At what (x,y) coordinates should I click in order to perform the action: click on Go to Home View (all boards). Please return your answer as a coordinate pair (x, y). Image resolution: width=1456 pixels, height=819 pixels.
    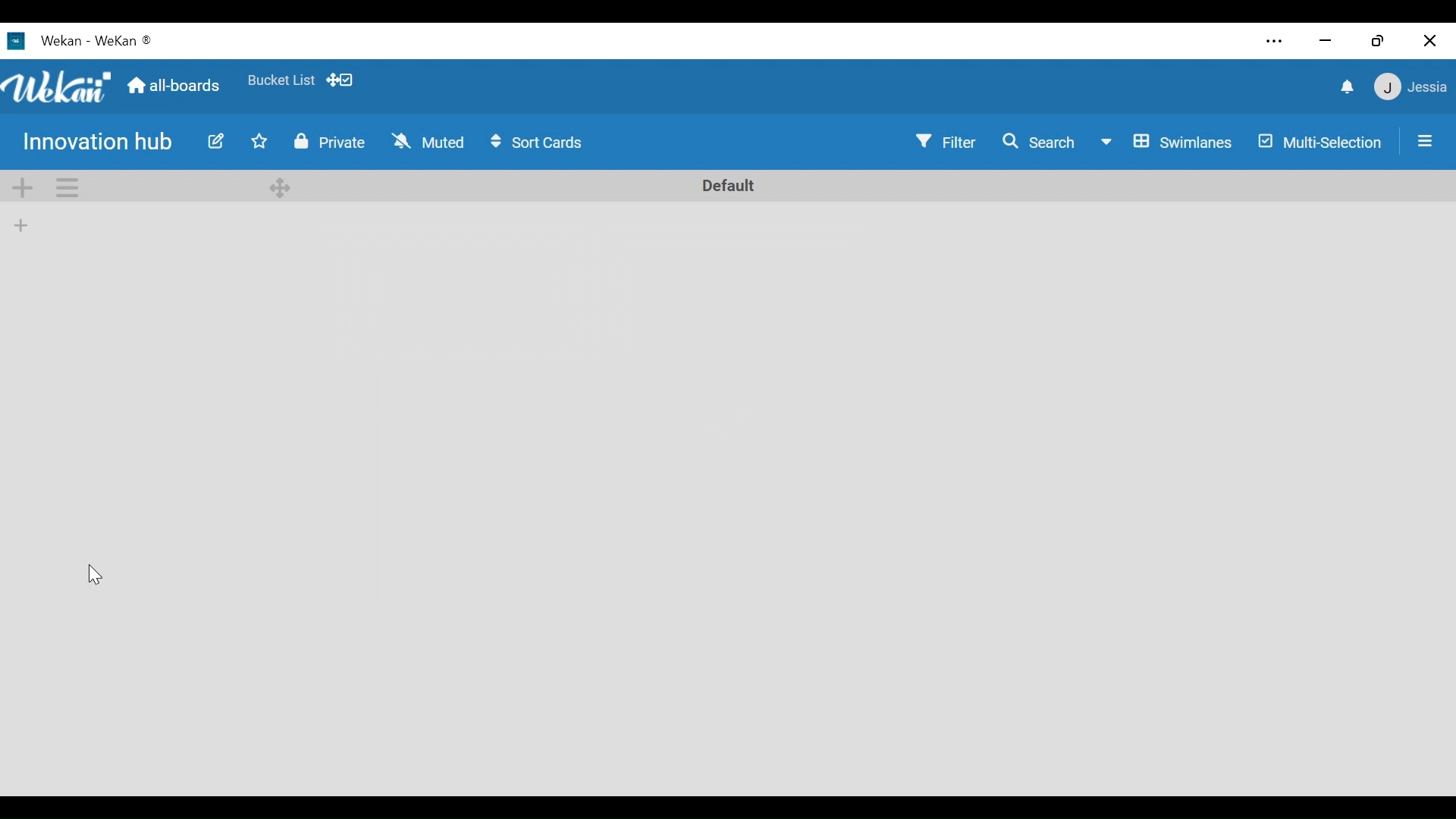
    Looking at the image, I should click on (172, 86).